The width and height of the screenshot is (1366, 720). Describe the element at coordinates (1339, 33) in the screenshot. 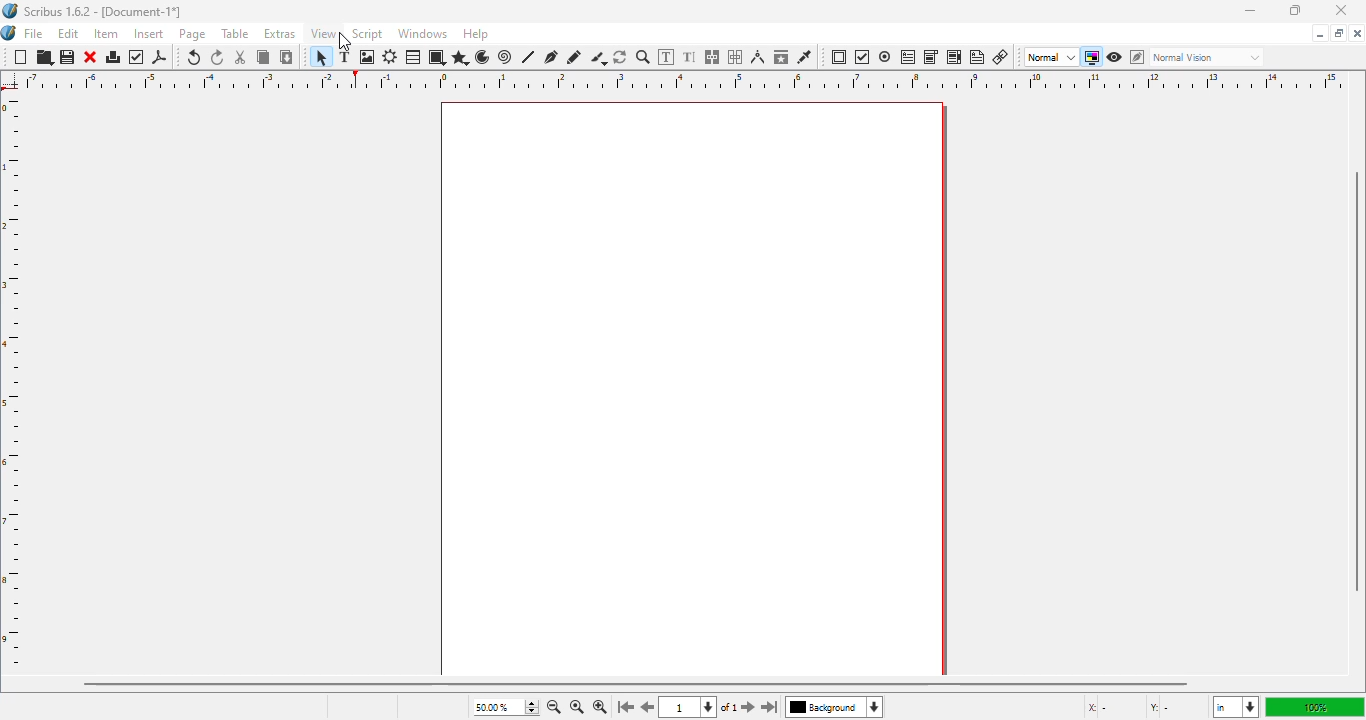

I see `maximize` at that location.